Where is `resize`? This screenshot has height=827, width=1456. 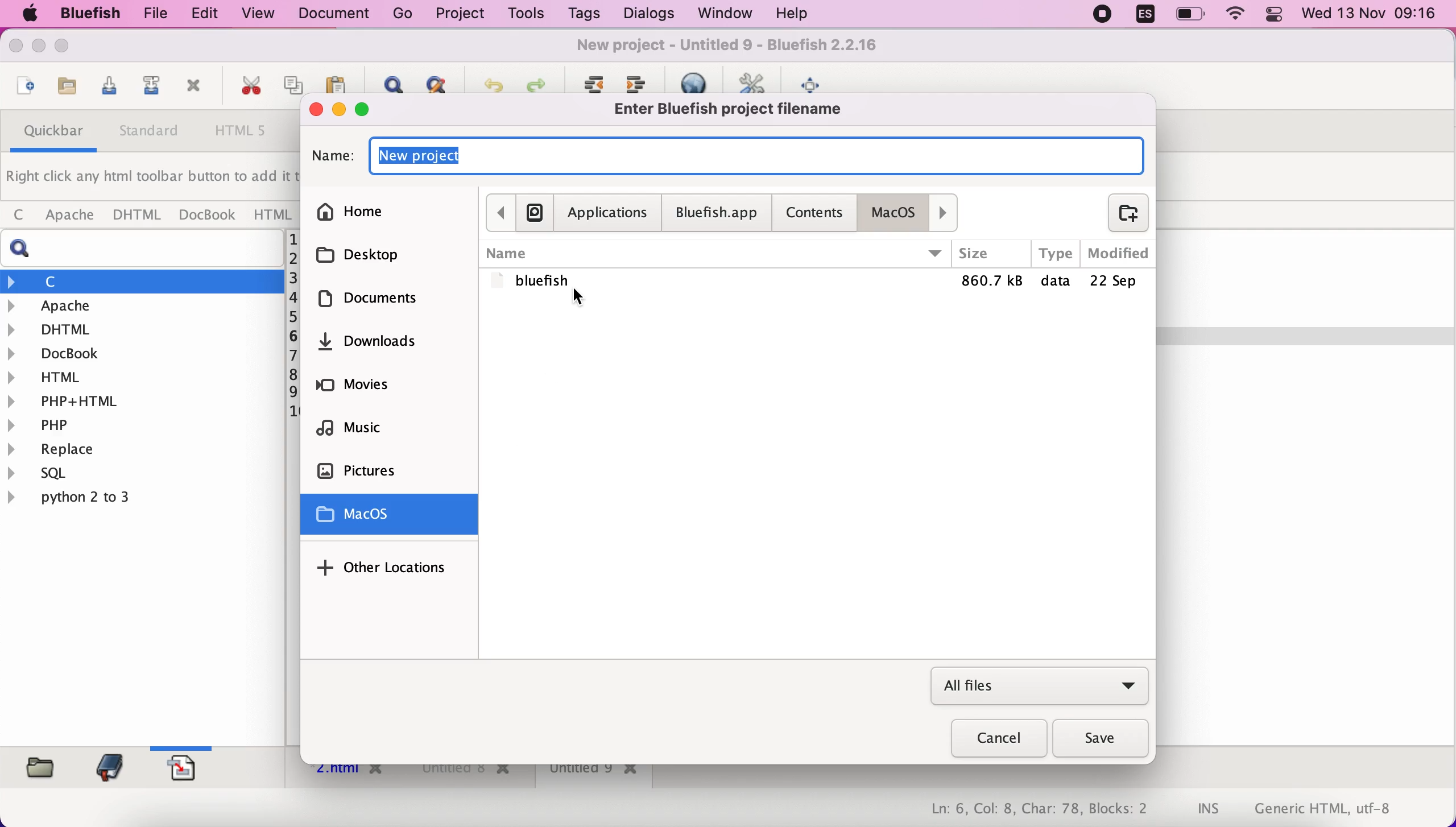
resize is located at coordinates (39, 49).